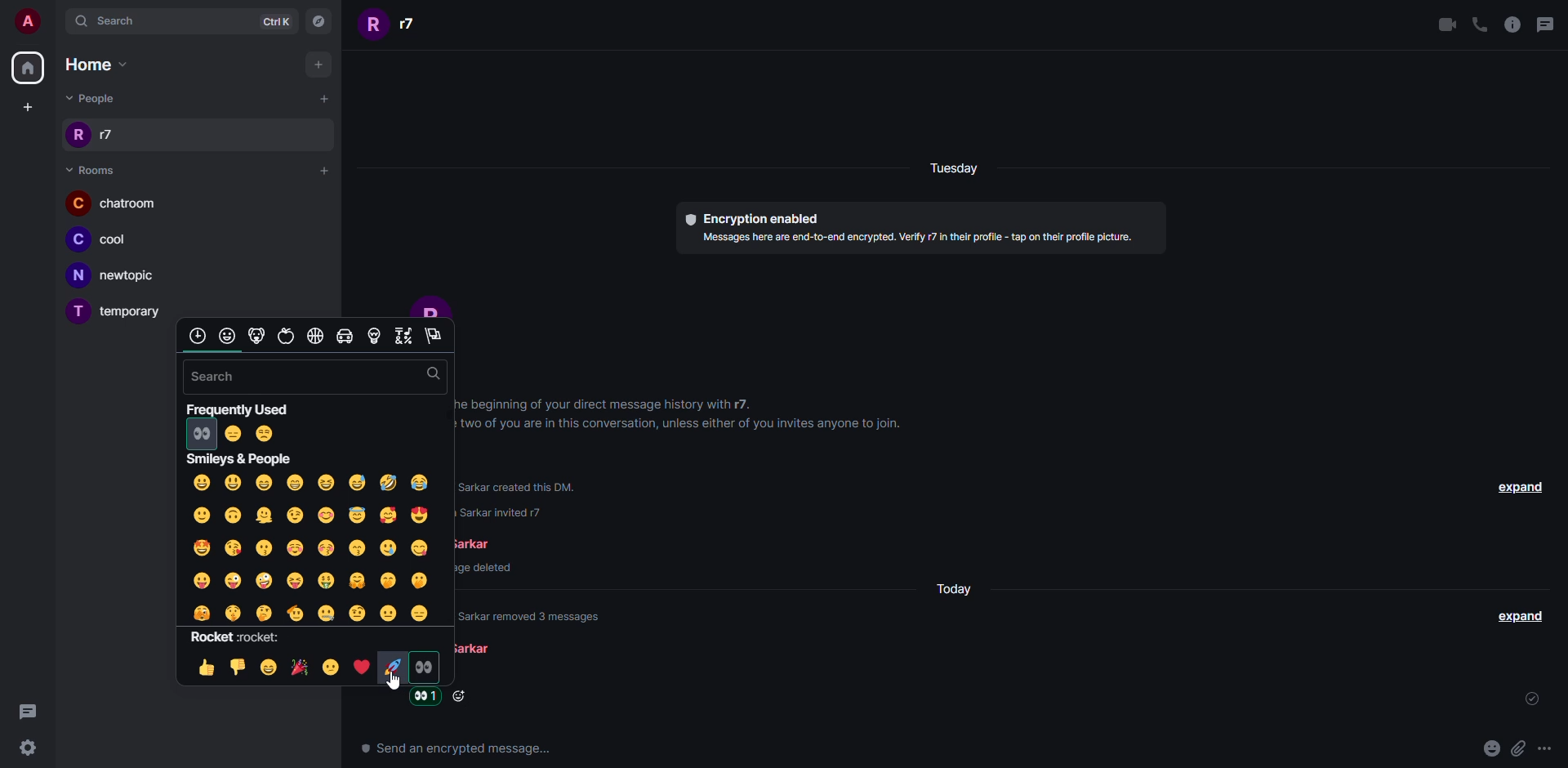  I want to click on category, so click(346, 337).